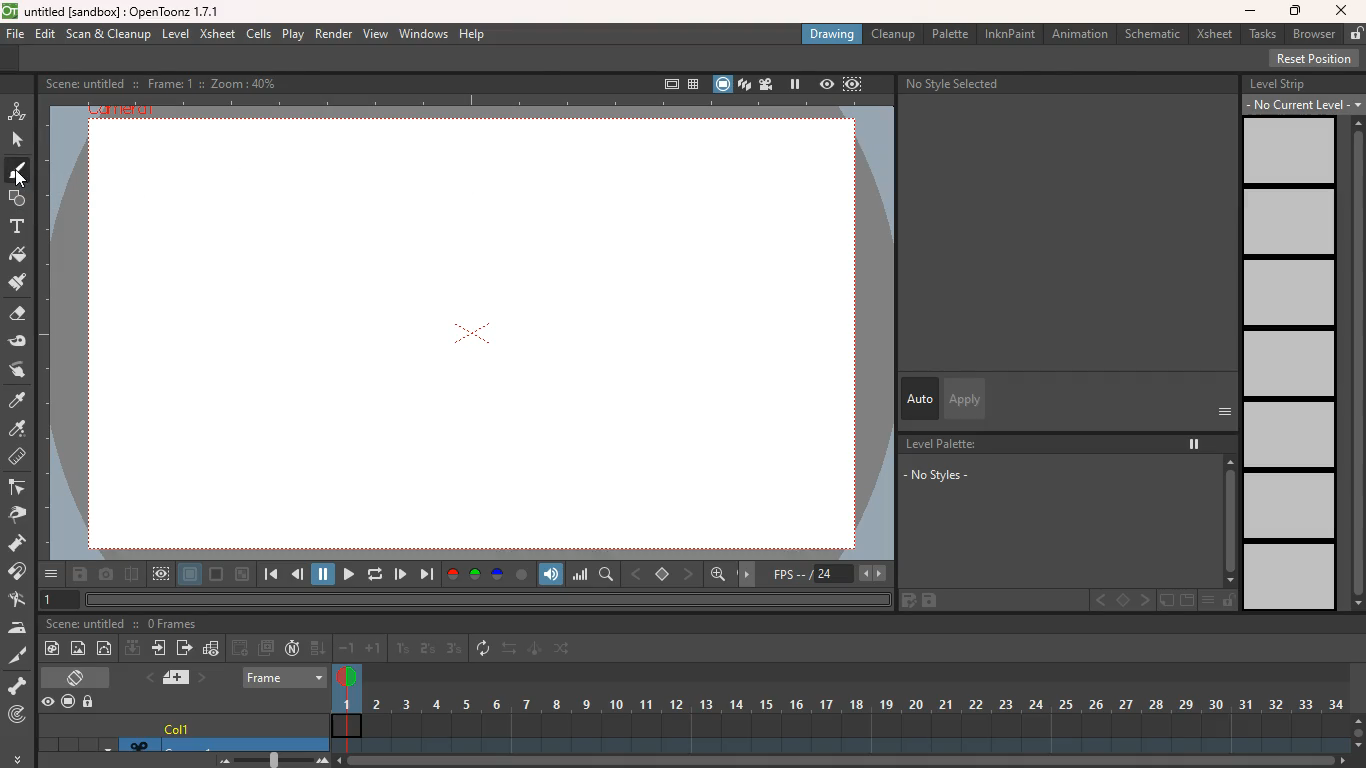  Describe the element at coordinates (1316, 59) in the screenshot. I see `reset position` at that location.